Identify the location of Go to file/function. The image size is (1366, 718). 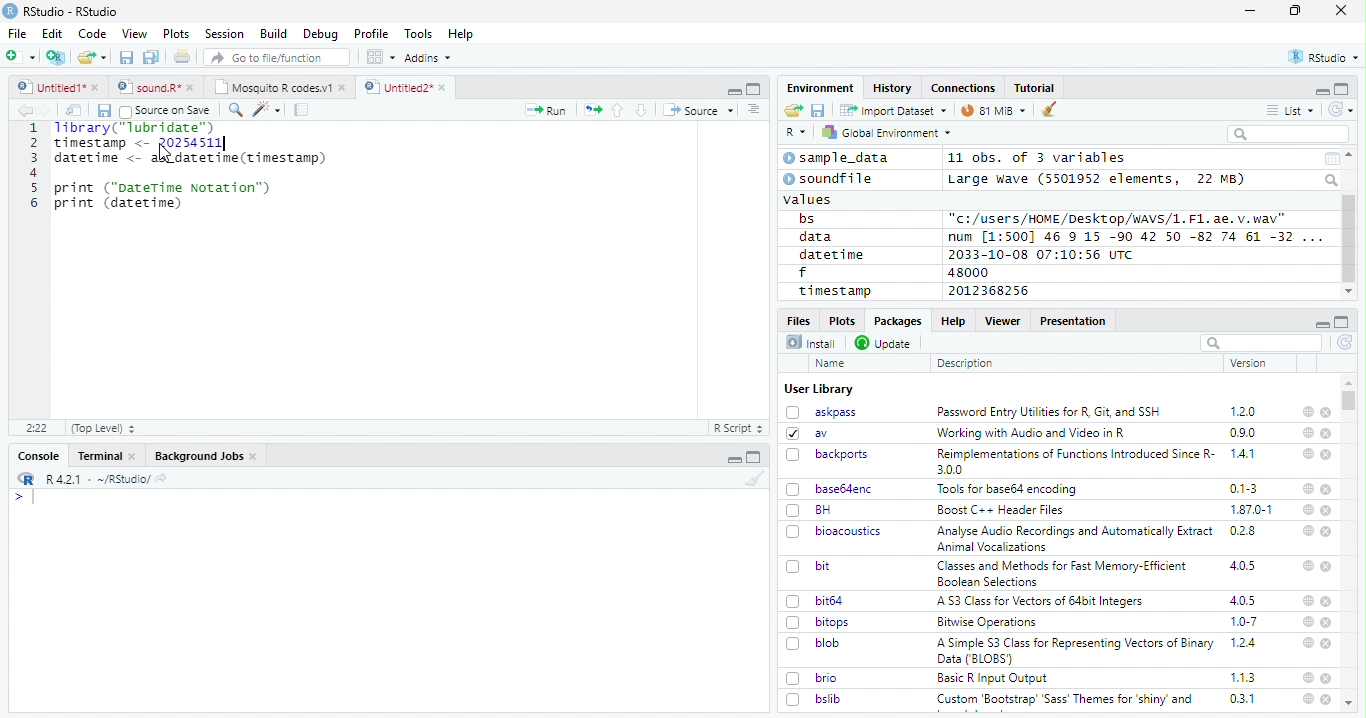
(278, 57).